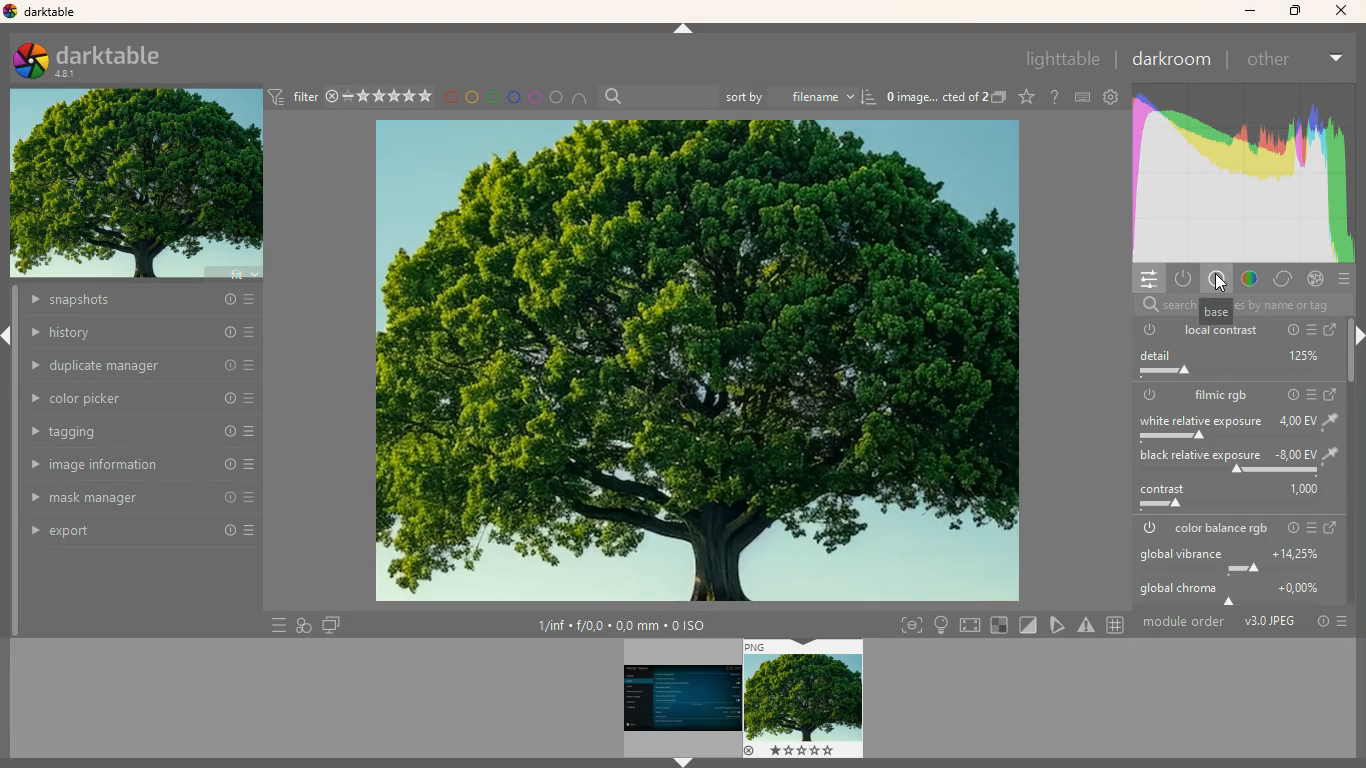 The width and height of the screenshot is (1366, 768). I want to click on duplicate manager, so click(137, 364).